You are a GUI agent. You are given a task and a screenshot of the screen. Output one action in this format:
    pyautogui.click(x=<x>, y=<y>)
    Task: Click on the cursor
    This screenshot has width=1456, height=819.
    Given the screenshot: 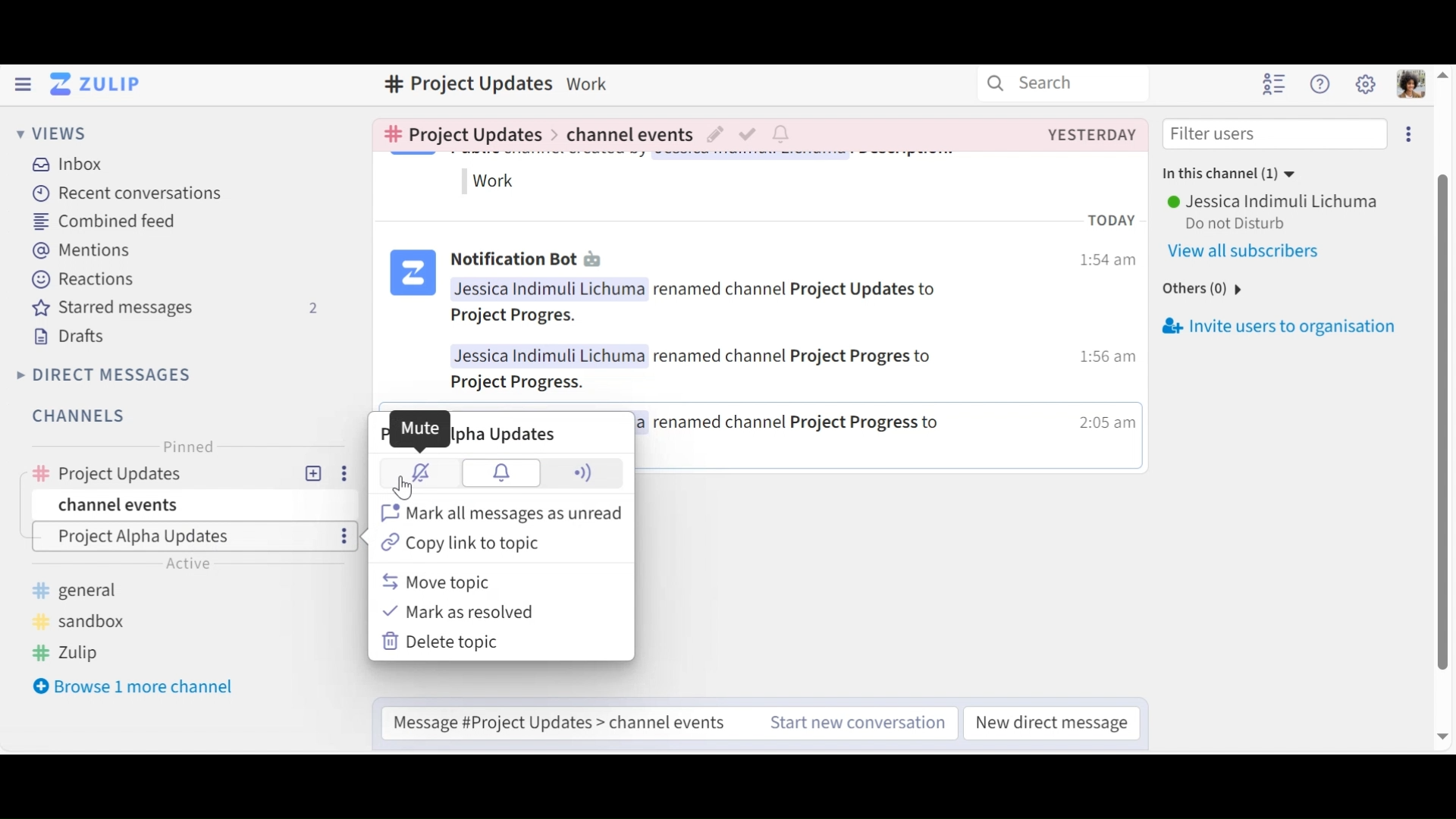 What is the action you would take?
    pyautogui.click(x=405, y=491)
    